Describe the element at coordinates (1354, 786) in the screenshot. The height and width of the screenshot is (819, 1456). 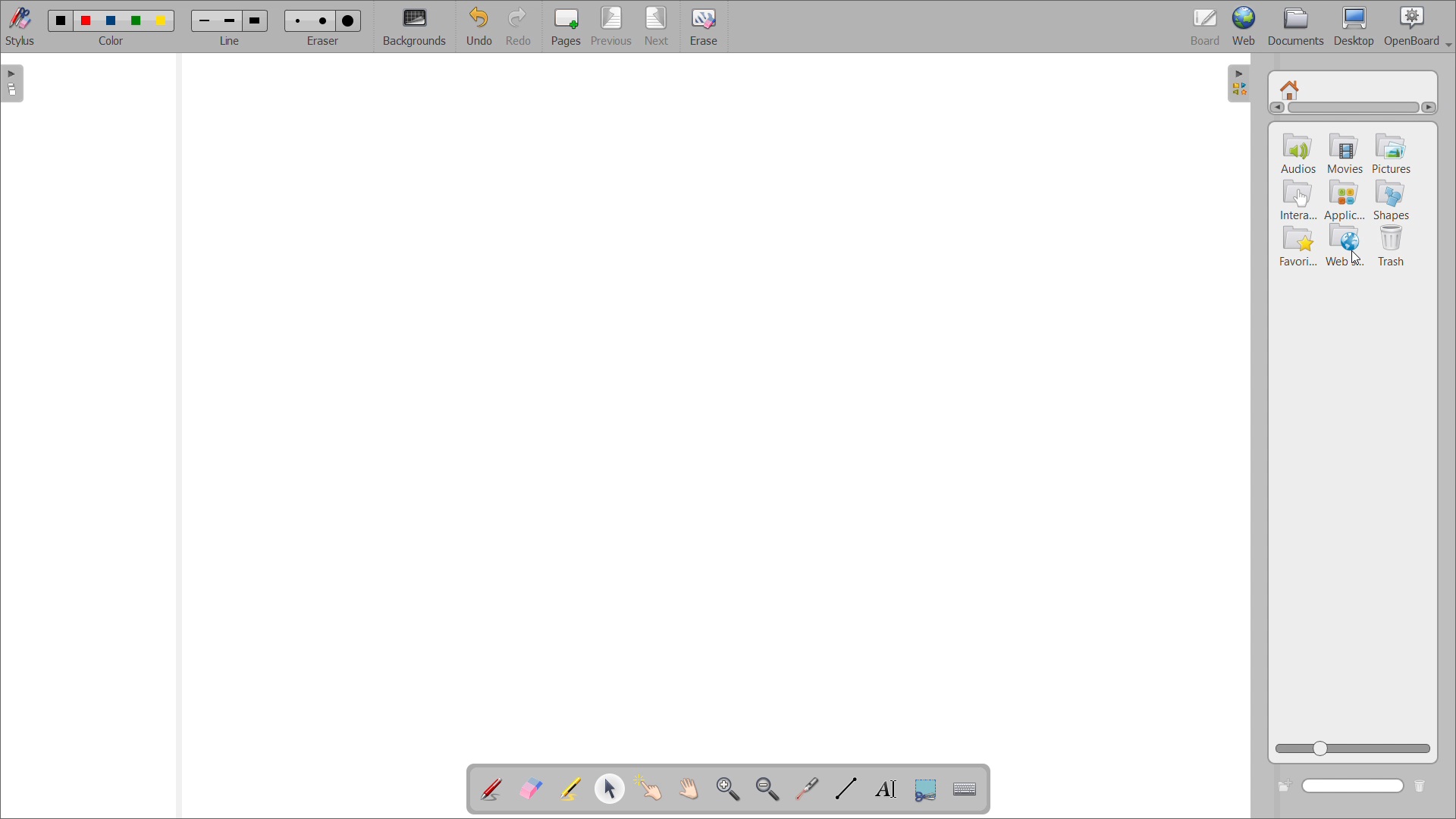
I see `search` at that location.